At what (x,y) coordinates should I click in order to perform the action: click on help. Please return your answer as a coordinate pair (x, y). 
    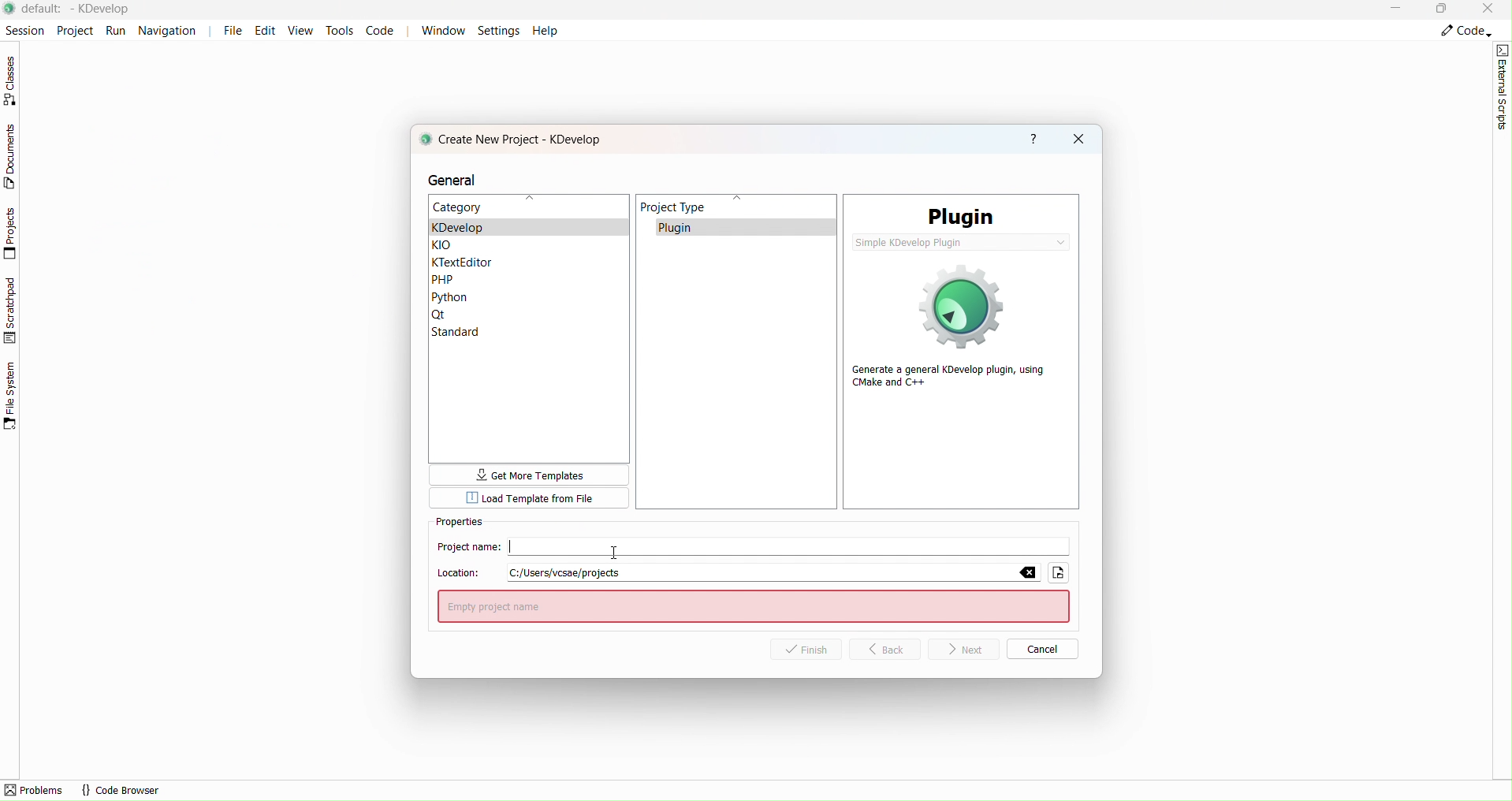
    Looking at the image, I should click on (1033, 140).